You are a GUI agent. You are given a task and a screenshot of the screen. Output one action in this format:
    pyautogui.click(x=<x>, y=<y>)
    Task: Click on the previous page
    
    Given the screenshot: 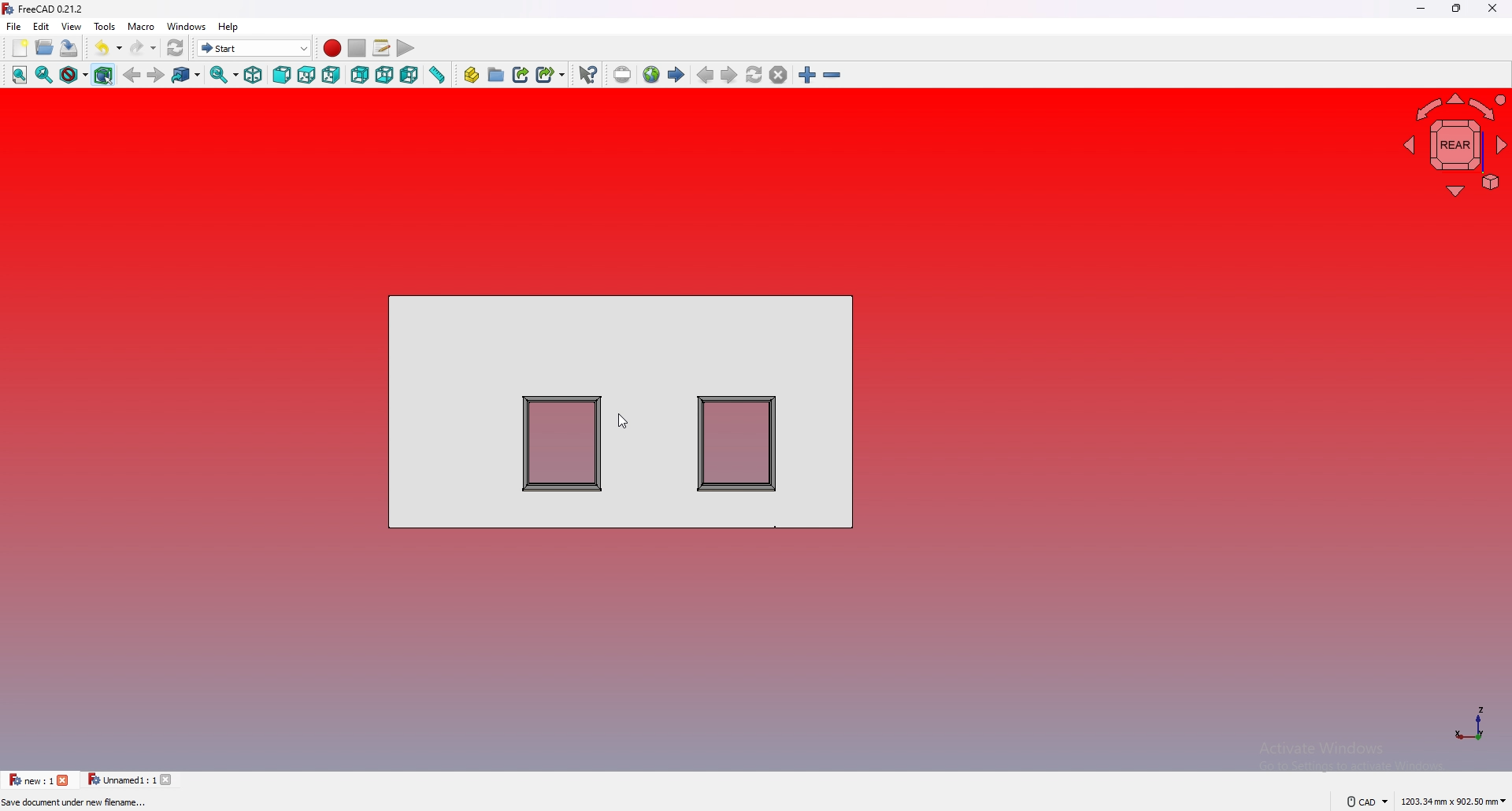 What is the action you would take?
    pyautogui.click(x=705, y=75)
    